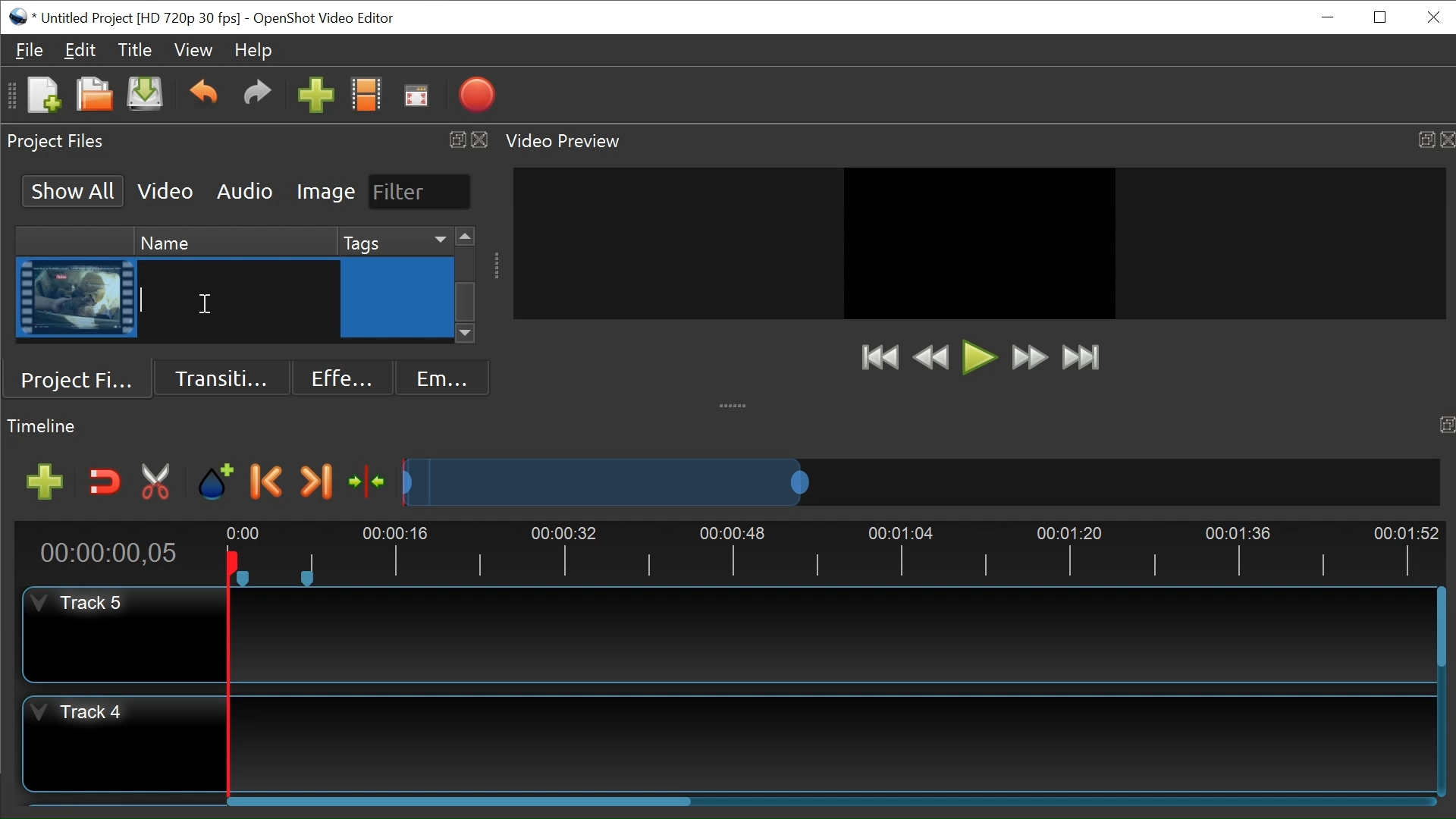 This screenshot has width=1456, height=819. What do you see at coordinates (369, 96) in the screenshot?
I see `Chooses Profile` at bounding box center [369, 96].